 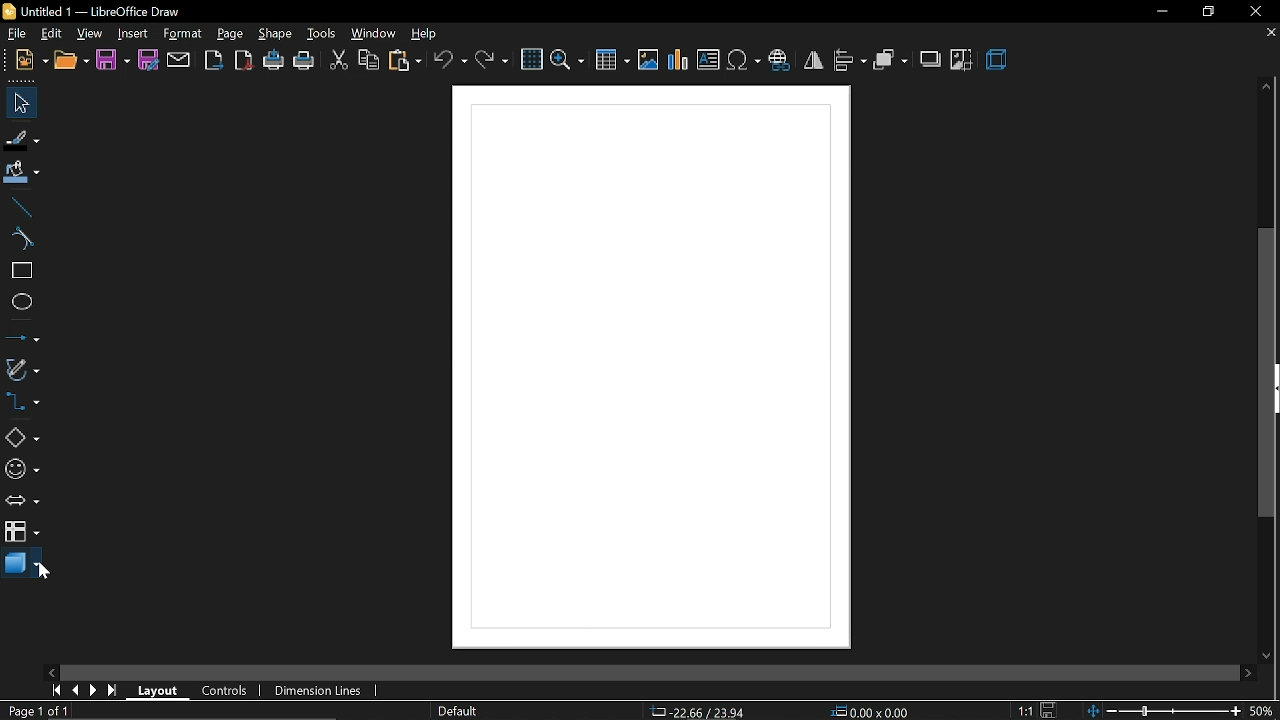 What do you see at coordinates (702, 711) in the screenshot?
I see `-22.66/23.94` at bounding box center [702, 711].